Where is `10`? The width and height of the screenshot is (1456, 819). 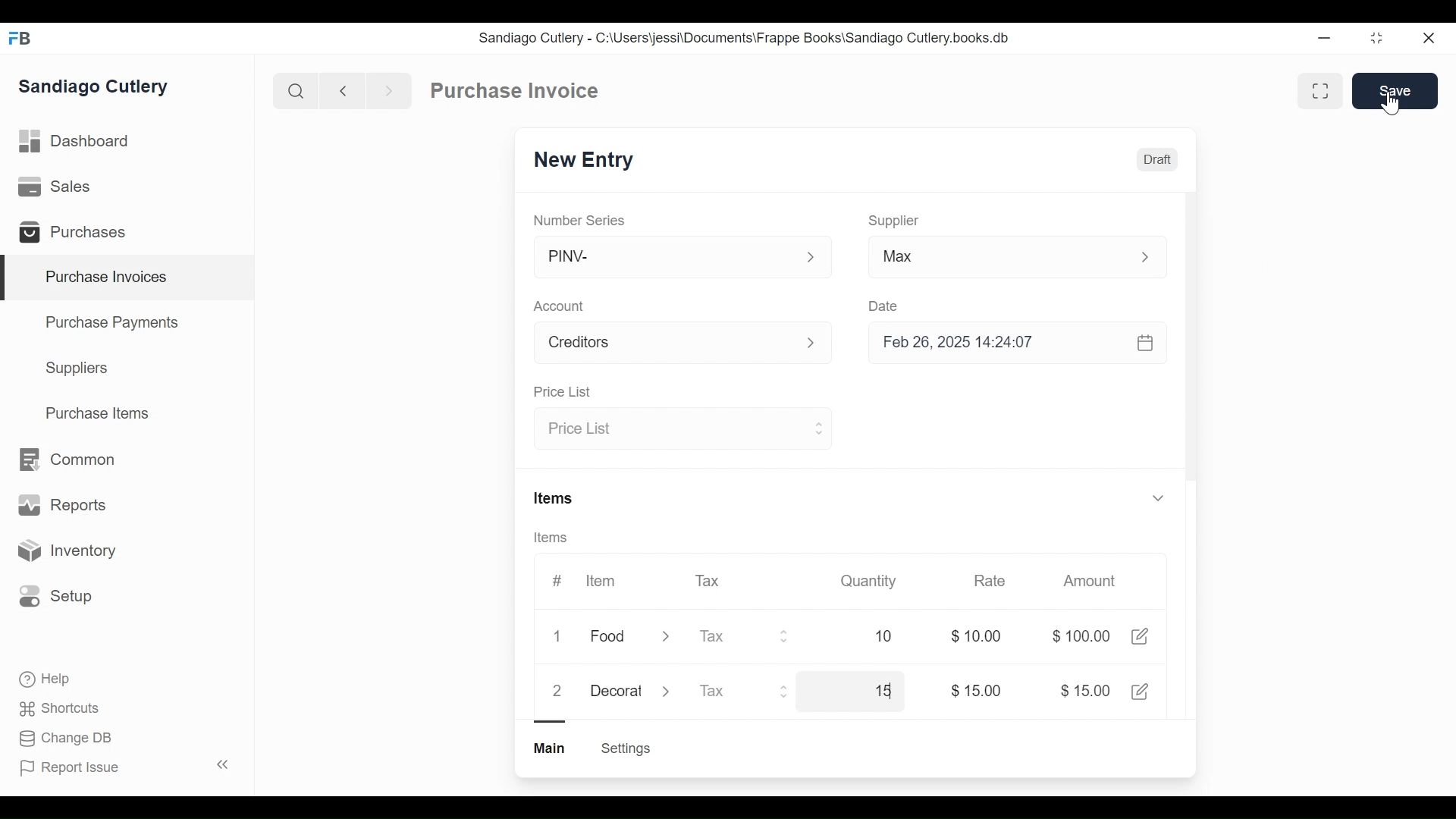 10 is located at coordinates (866, 636).